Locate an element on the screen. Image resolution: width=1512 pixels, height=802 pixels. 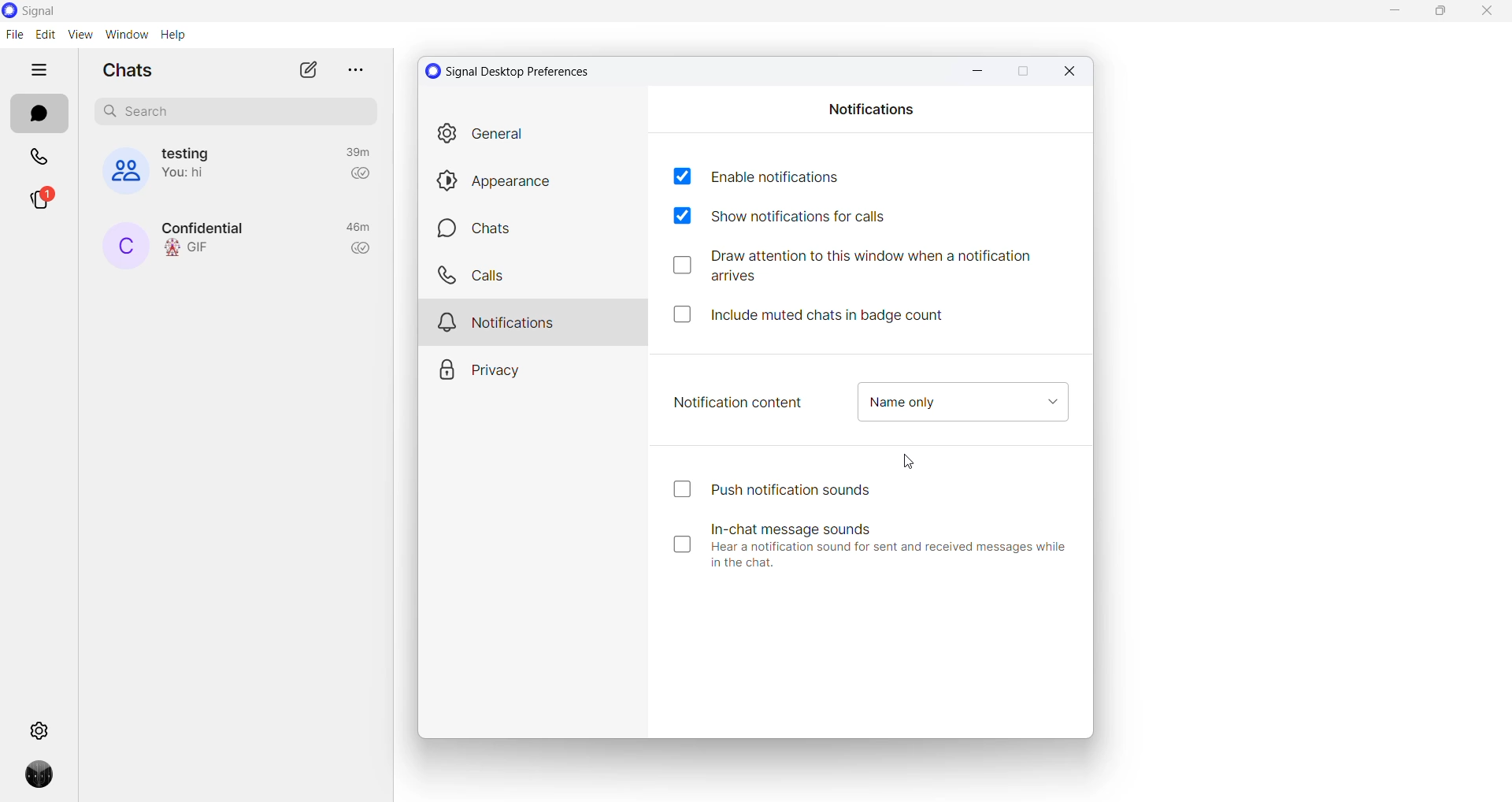
draw attention checkbox is located at coordinates (863, 266).